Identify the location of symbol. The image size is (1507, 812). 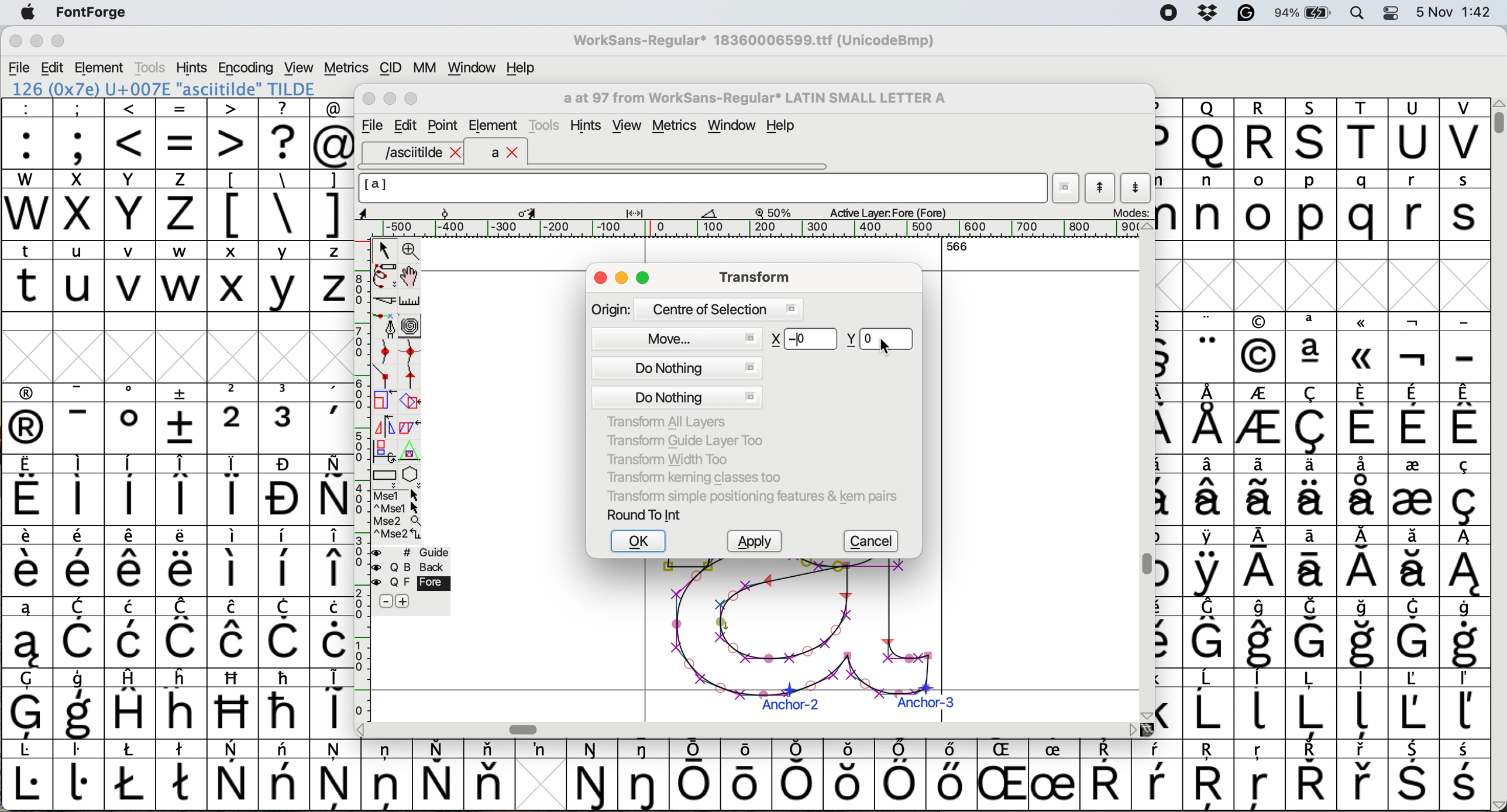
(1363, 418).